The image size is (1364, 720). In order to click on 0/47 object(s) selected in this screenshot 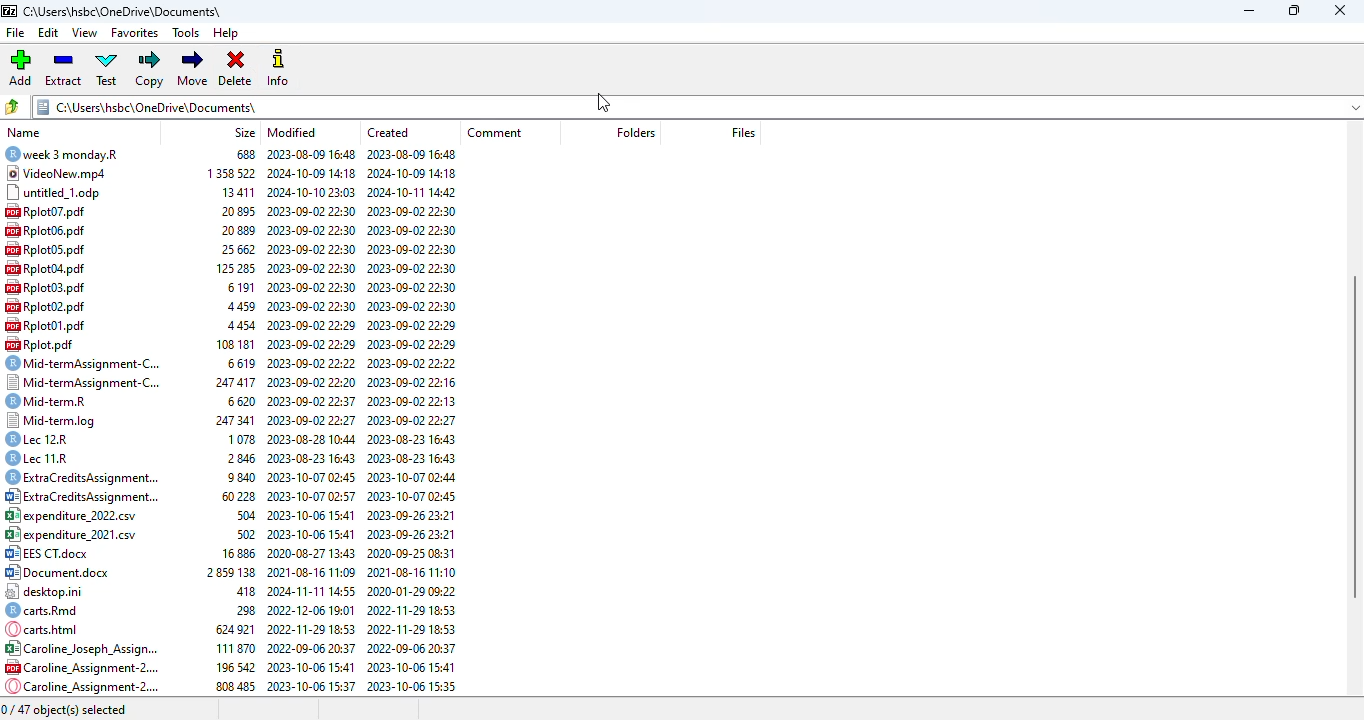, I will do `click(66, 709)`.